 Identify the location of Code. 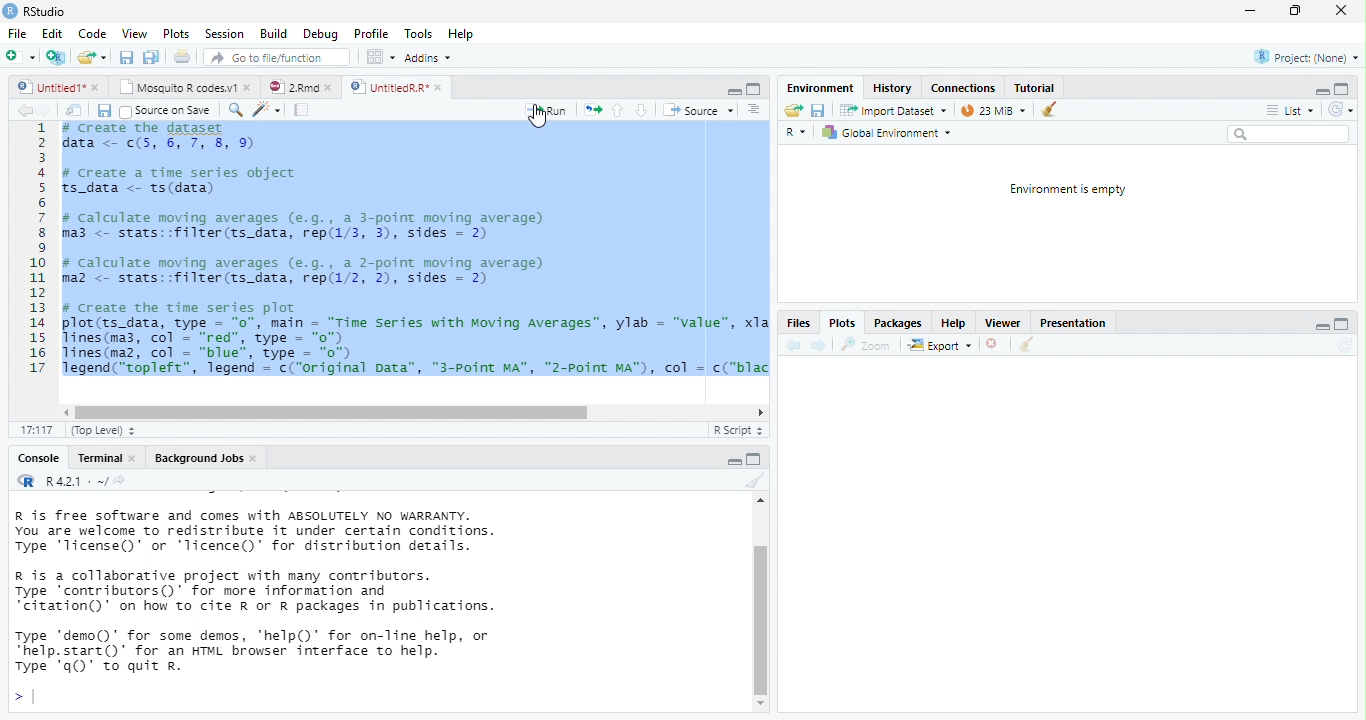
(93, 33).